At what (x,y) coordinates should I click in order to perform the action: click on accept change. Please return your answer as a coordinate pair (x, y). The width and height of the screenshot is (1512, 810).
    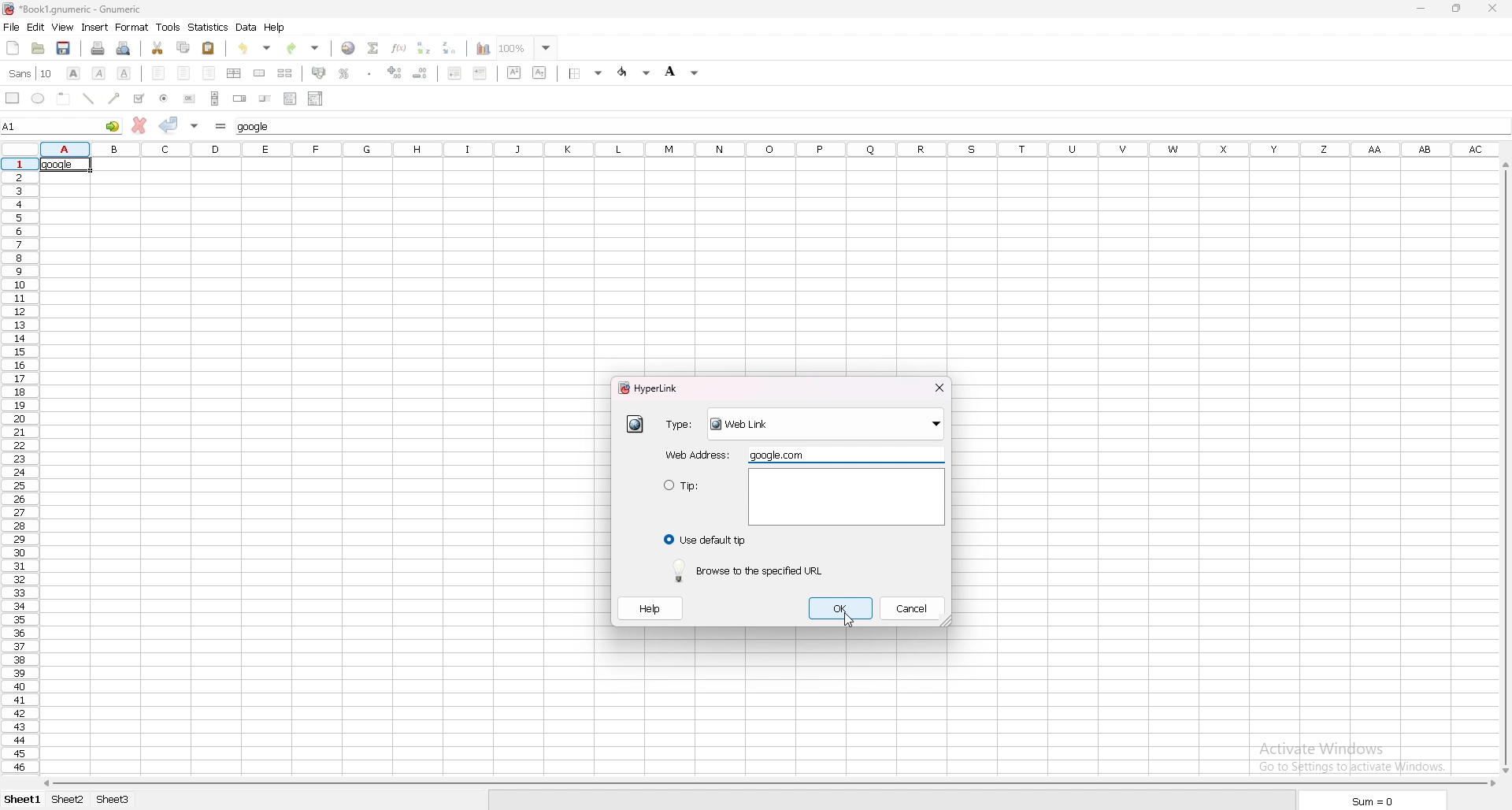
    Looking at the image, I should click on (169, 124).